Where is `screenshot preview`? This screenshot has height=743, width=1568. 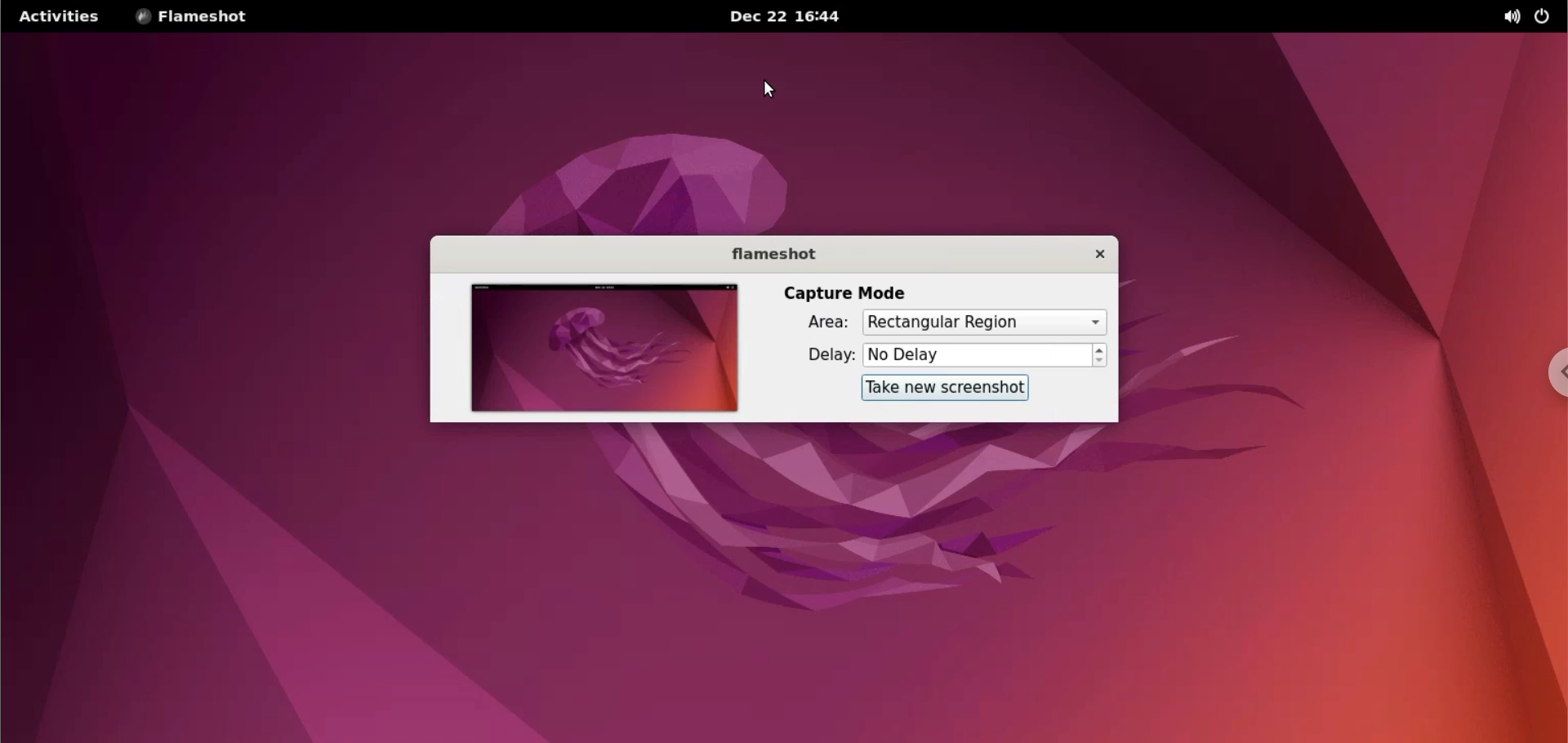 screenshot preview is located at coordinates (601, 349).